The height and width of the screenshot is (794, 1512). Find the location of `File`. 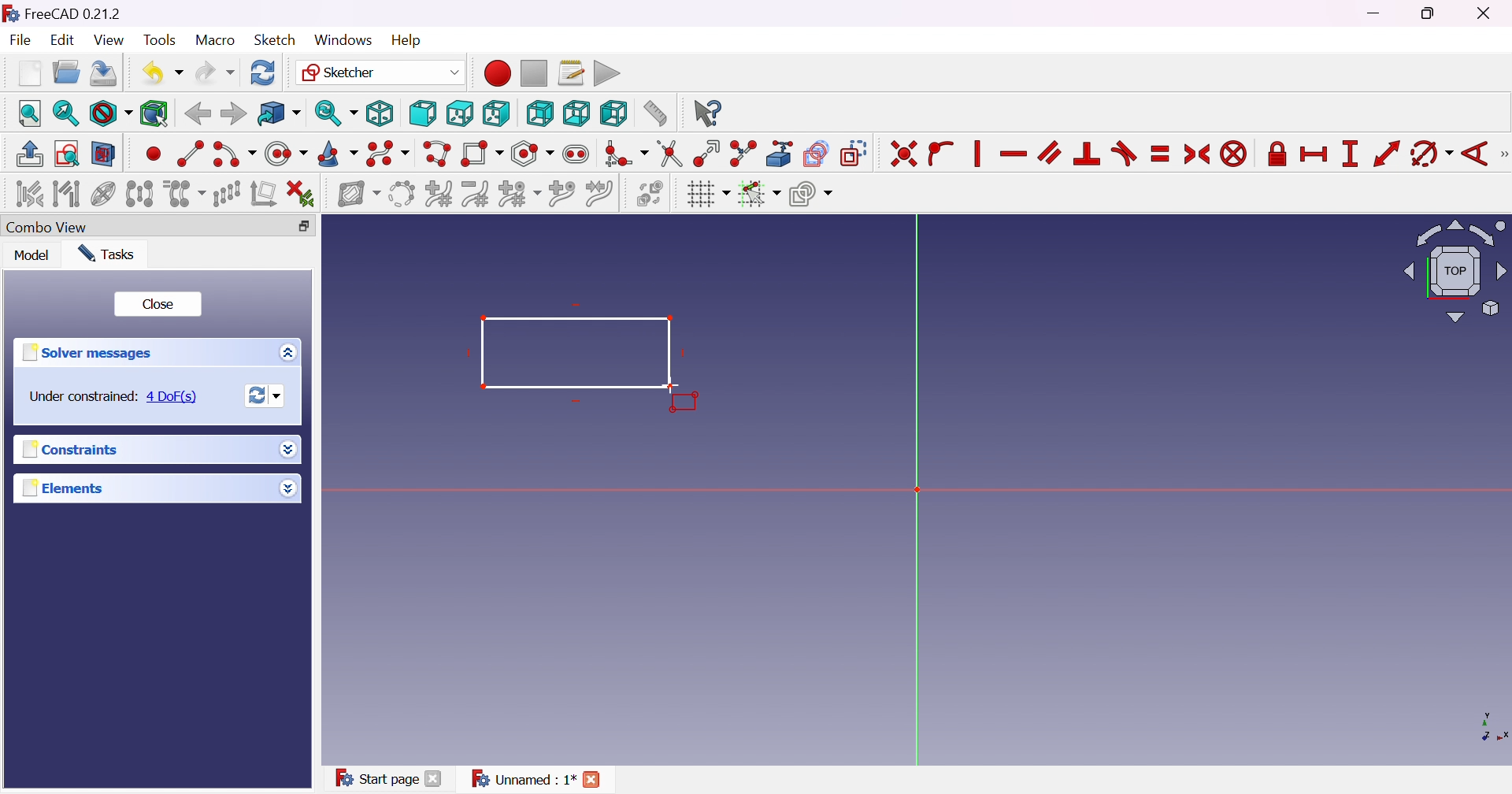

File is located at coordinates (20, 39).